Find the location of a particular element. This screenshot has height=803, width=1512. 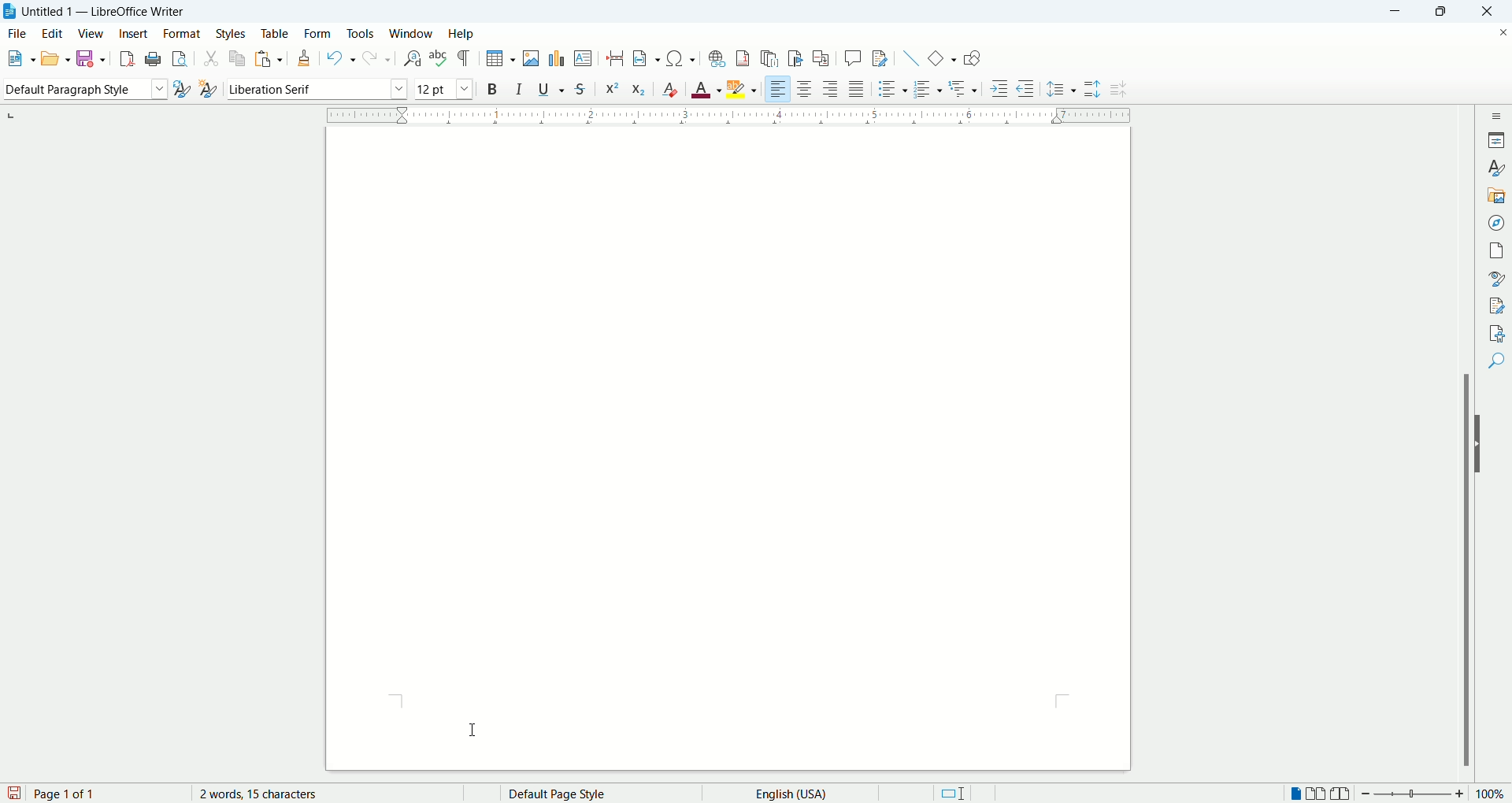

new style is located at coordinates (207, 89).